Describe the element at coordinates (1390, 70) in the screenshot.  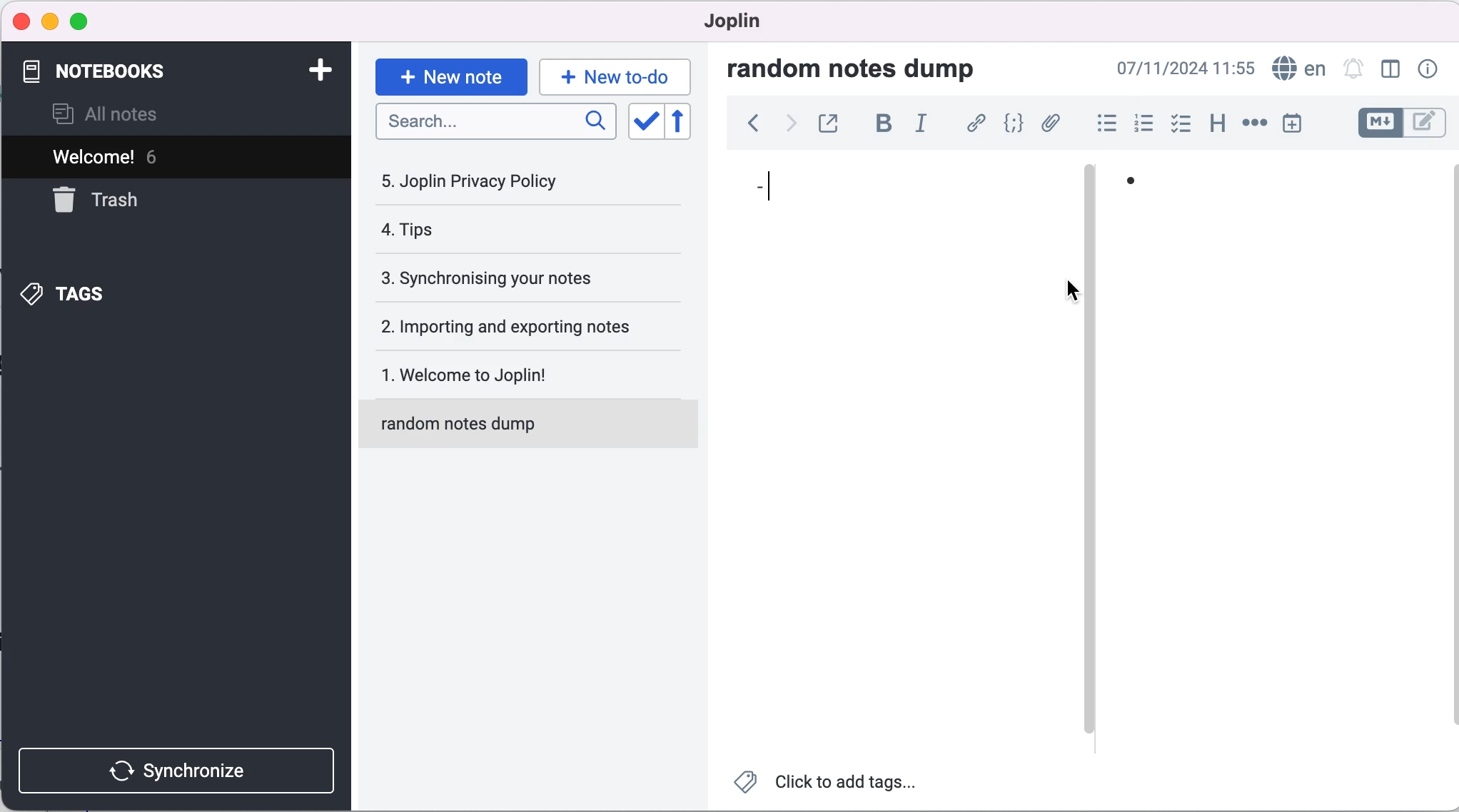
I see `toggle editor layout` at that location.